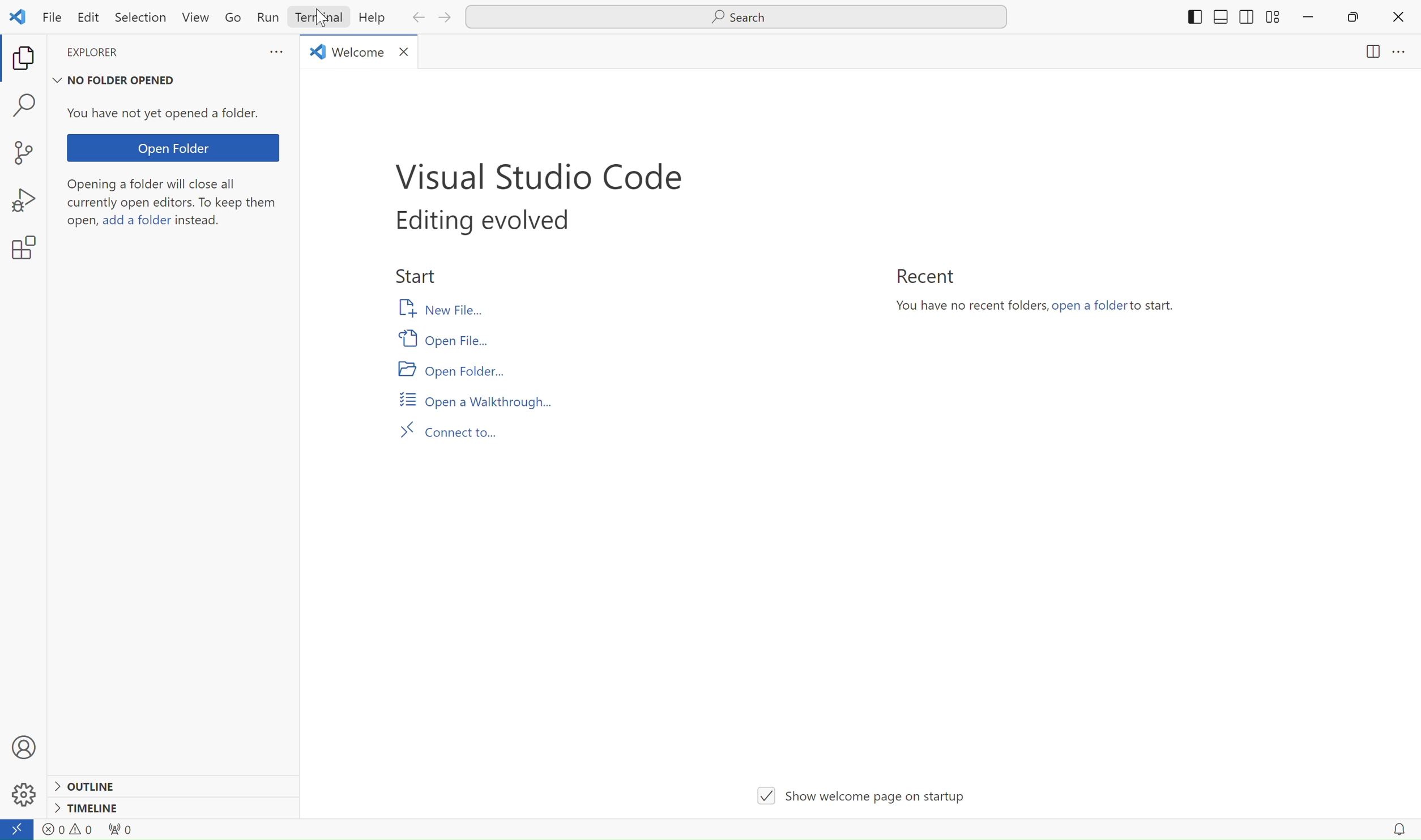  What do you see at coordinates (348, 53) in the screenshot?
I see `welcome` at bounding box center [348, 53].